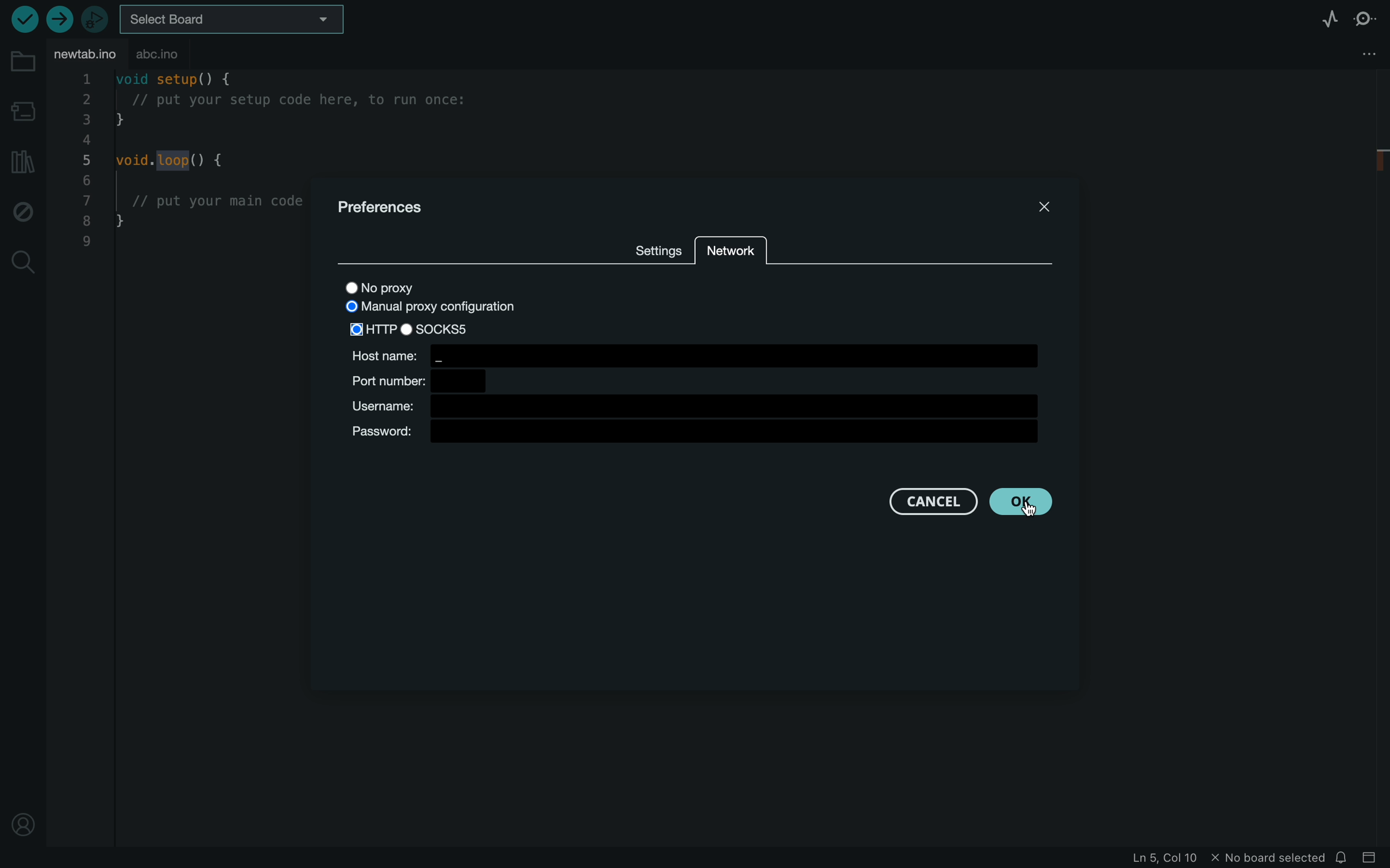  I want to click on port number, so click(417, 381).